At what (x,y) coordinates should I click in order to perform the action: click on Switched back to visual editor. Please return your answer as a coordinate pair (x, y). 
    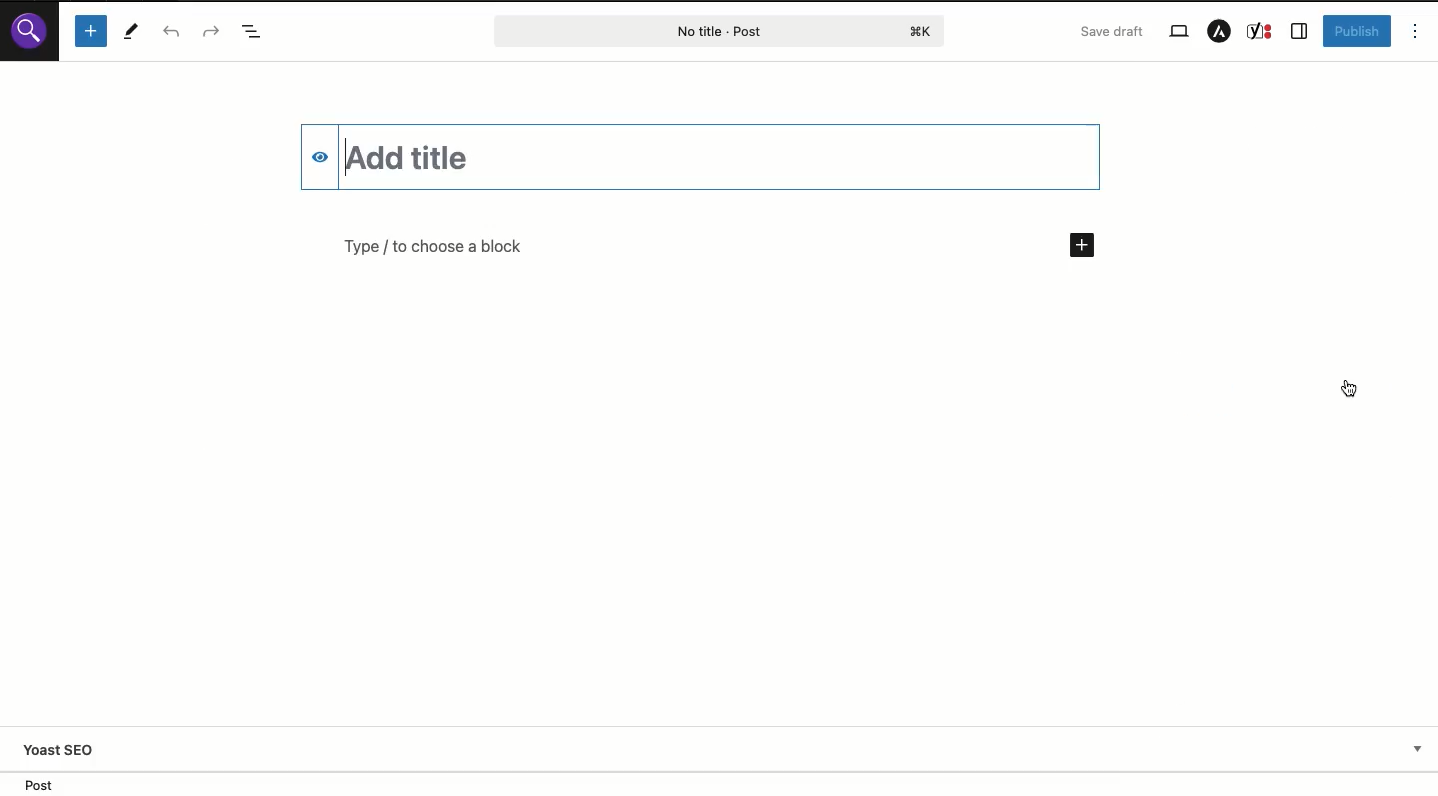
    Looking at the image, I should click on (1351, 388).